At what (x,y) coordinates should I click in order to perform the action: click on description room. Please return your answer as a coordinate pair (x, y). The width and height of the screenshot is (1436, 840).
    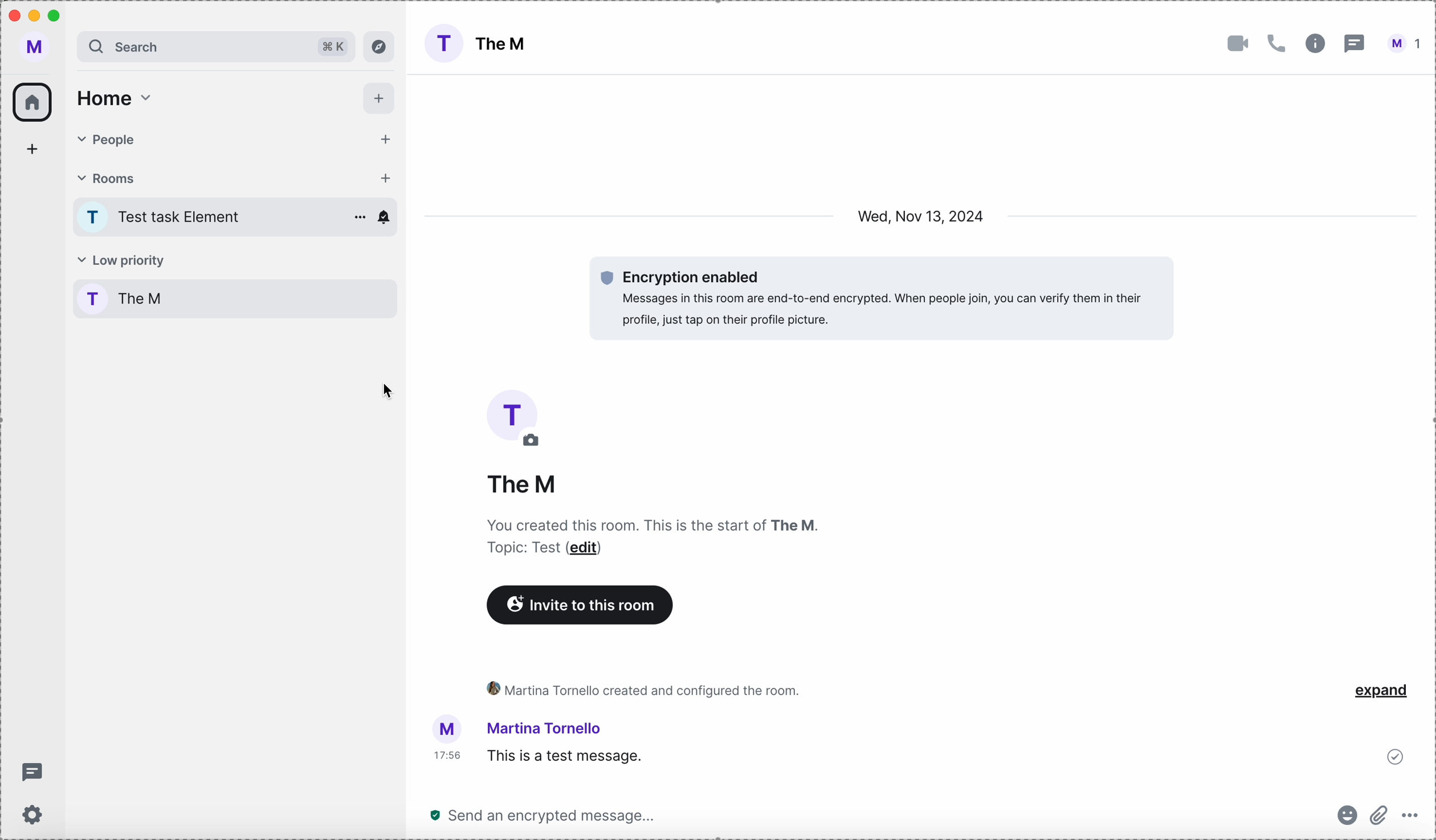
    Looking at the image, I should click on (651, 523).